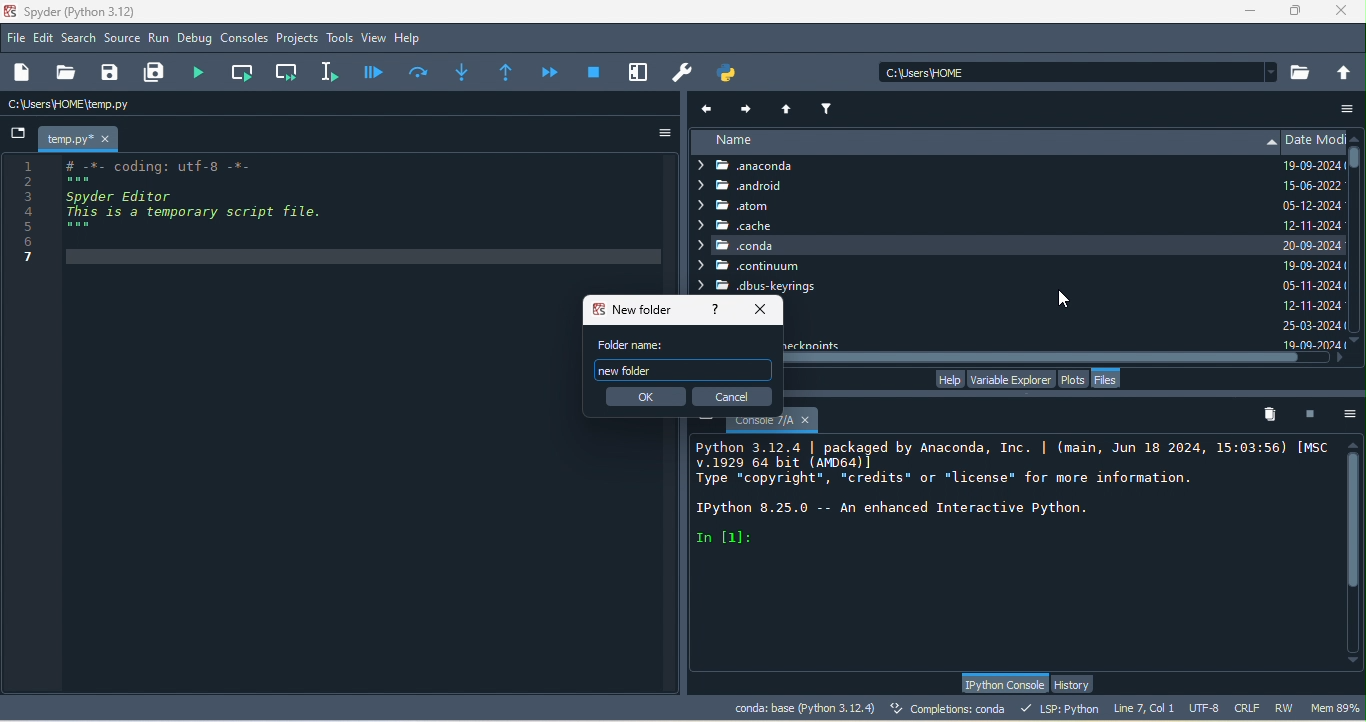  Describe the element at coordinates (632, 309) in the screenshot. I see `new folder` at that location.